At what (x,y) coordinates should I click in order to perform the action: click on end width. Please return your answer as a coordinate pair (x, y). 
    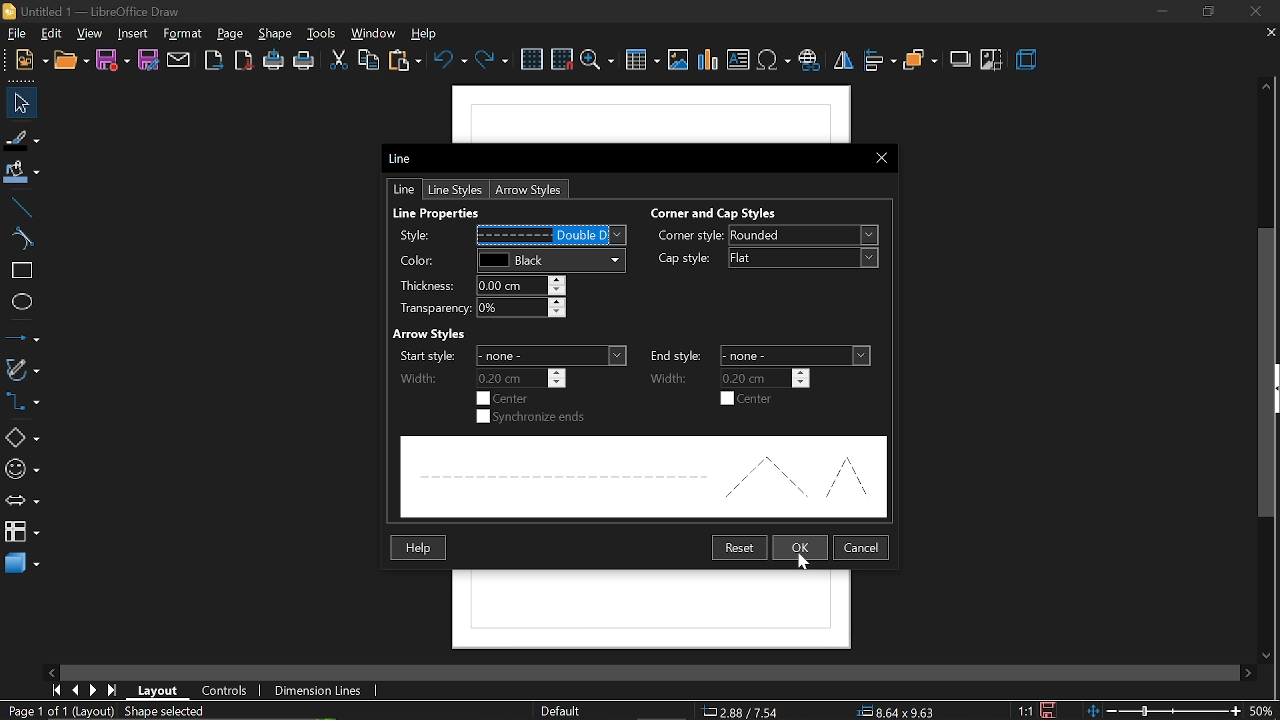
    Looking at the image, I should click on (726, 377).